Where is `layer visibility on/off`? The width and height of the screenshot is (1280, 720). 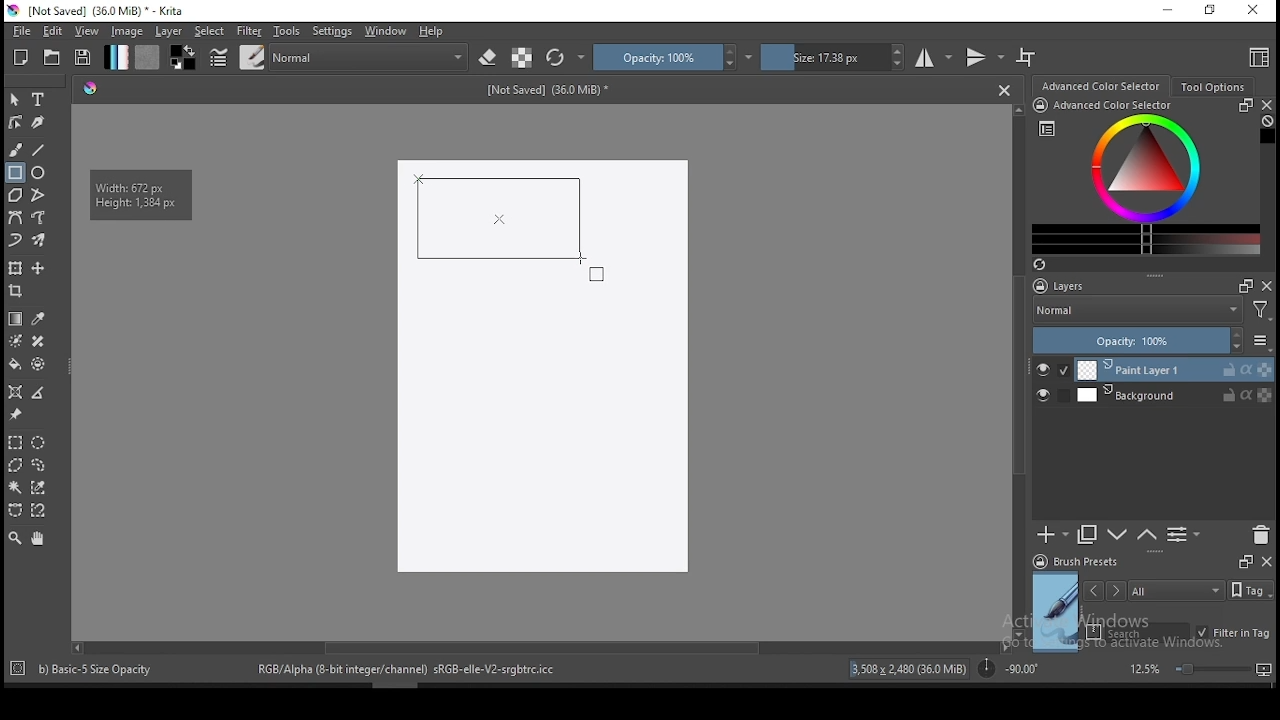
layer visibility on/off is located at coordinates (1048, 397).